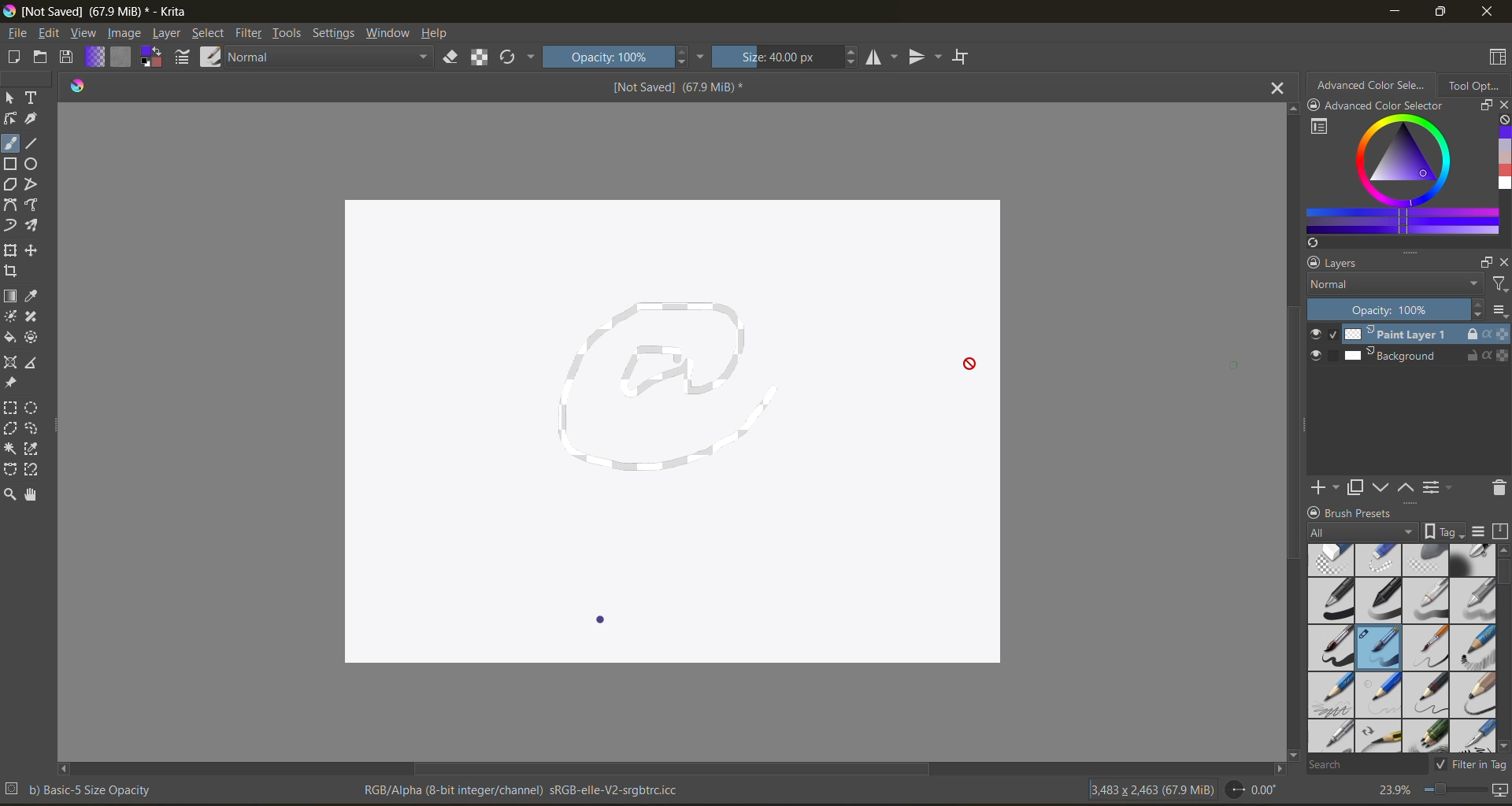 This screenshot has height=806, width=1512. What do you see at coordinates (13, 57) in the screenshot?
I see `create` at bounding box center [13, 57].